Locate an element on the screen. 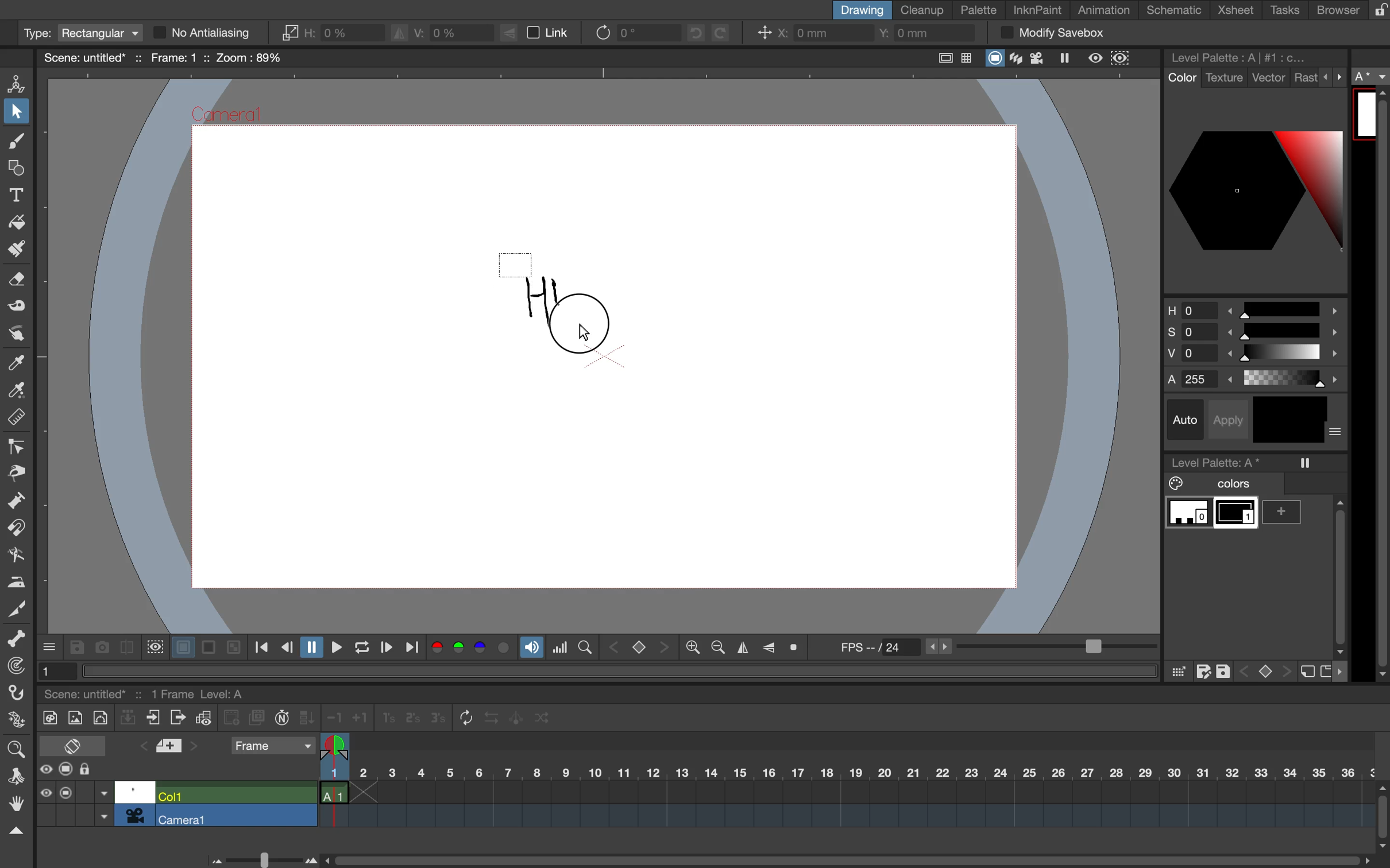  selection tool is located at coordinates (17, 114).